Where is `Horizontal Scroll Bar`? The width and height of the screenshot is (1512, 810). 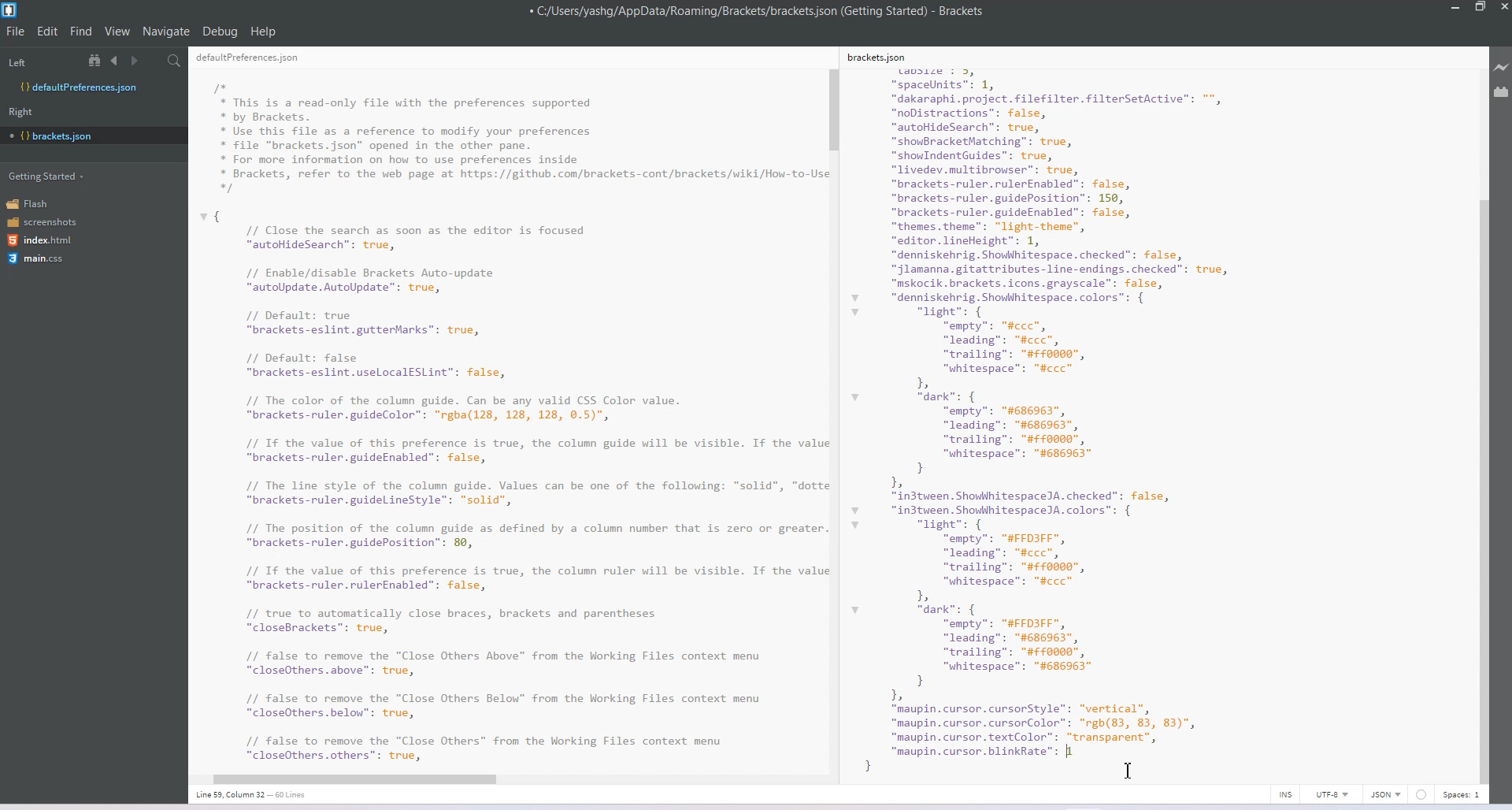
Horizontal Scroll Bar is located at coordinates (502, 776).